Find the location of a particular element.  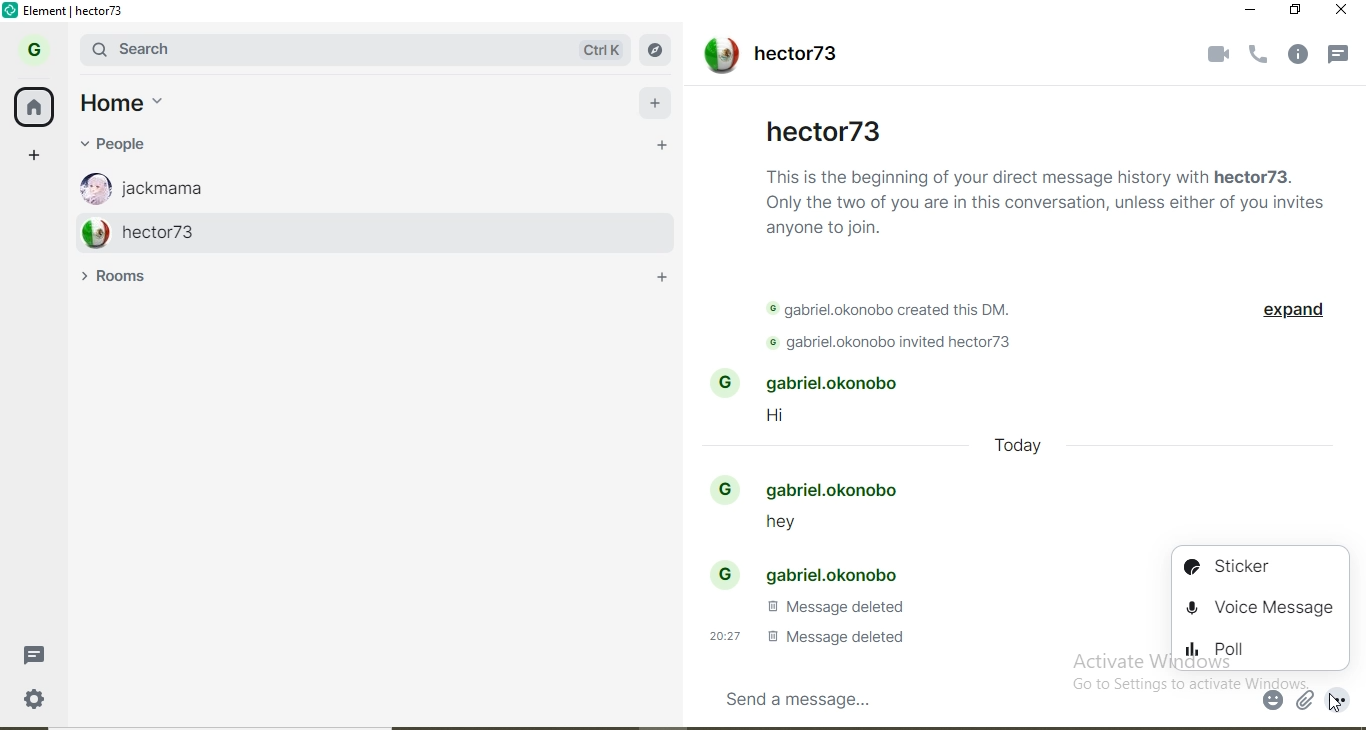

chatbox is located at coordinates (976, 698).